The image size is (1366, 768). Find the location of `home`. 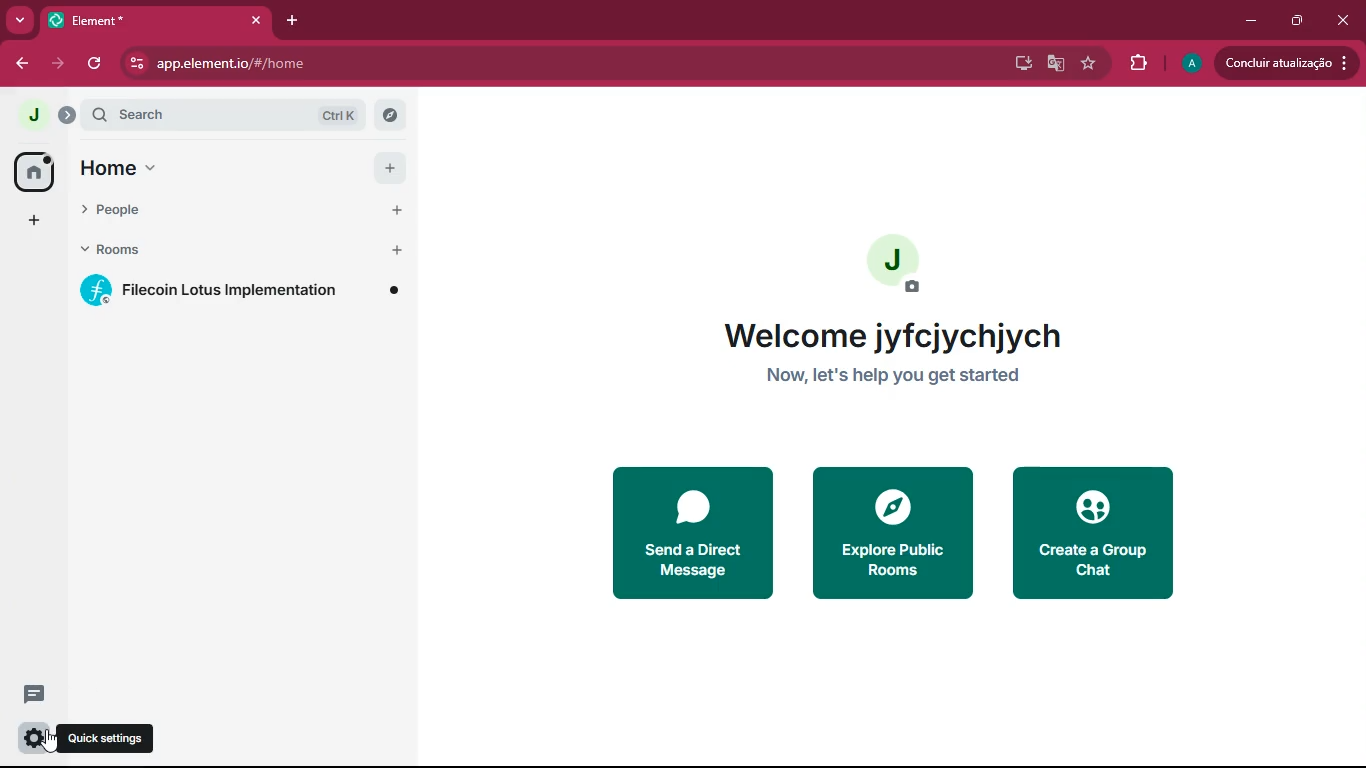

home is located at coordinates (197, 170).